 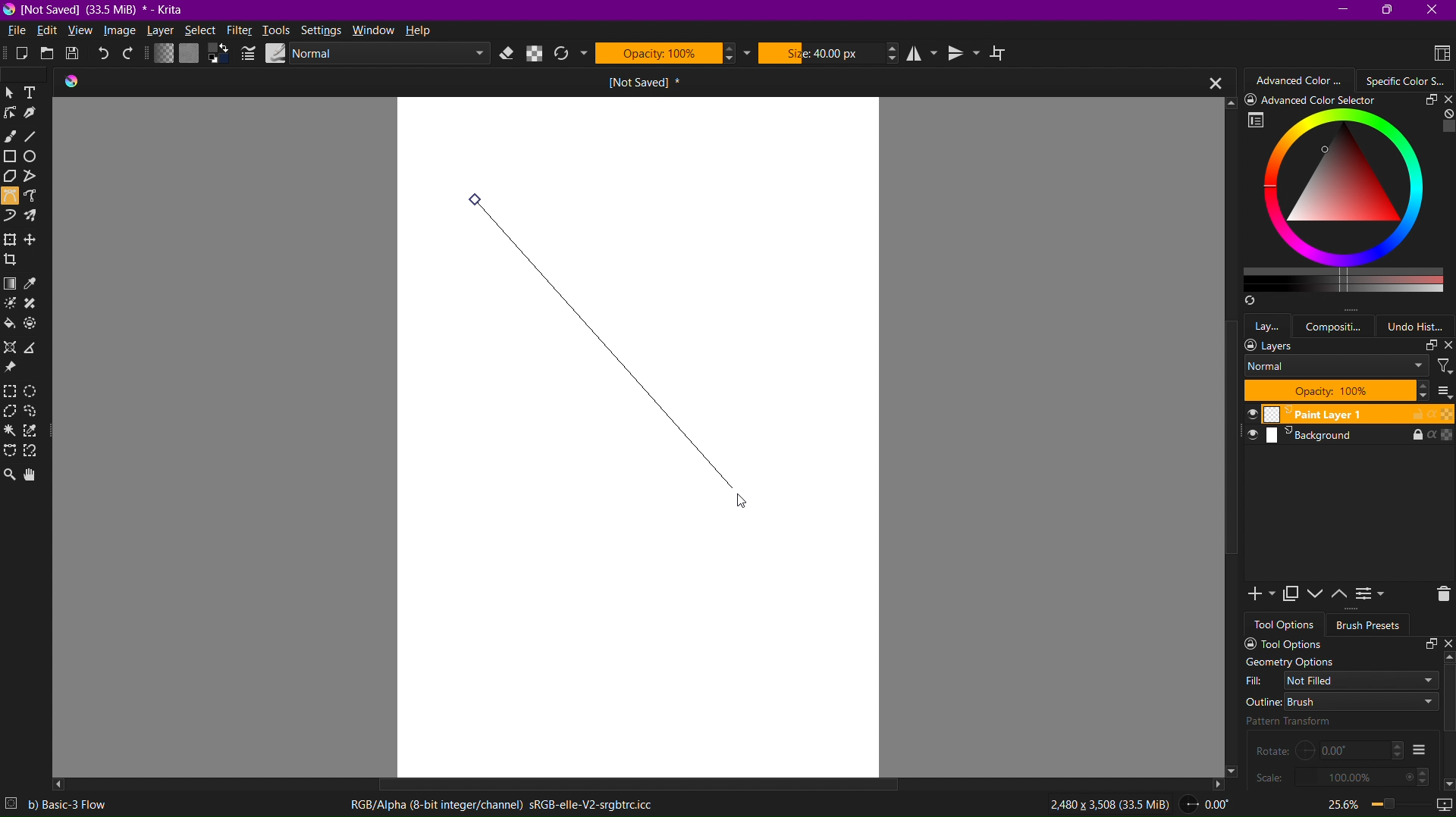 What do you see at coordinates (423, 32) in the screenshot?
I see `Help` at bounding box center [423, 32].